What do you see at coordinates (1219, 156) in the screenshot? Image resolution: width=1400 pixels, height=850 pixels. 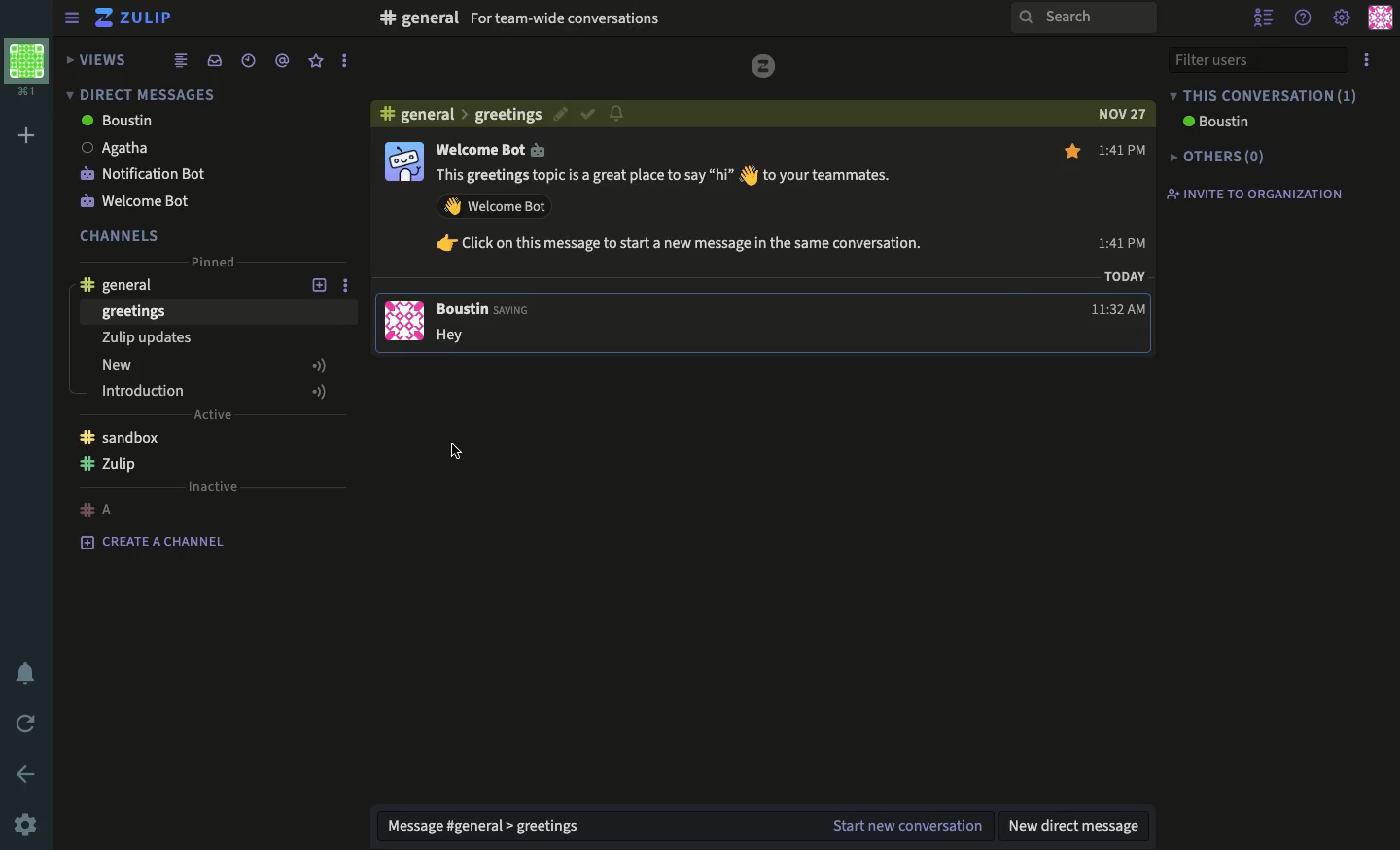 I see `others` at bounding box center [1219, 156].